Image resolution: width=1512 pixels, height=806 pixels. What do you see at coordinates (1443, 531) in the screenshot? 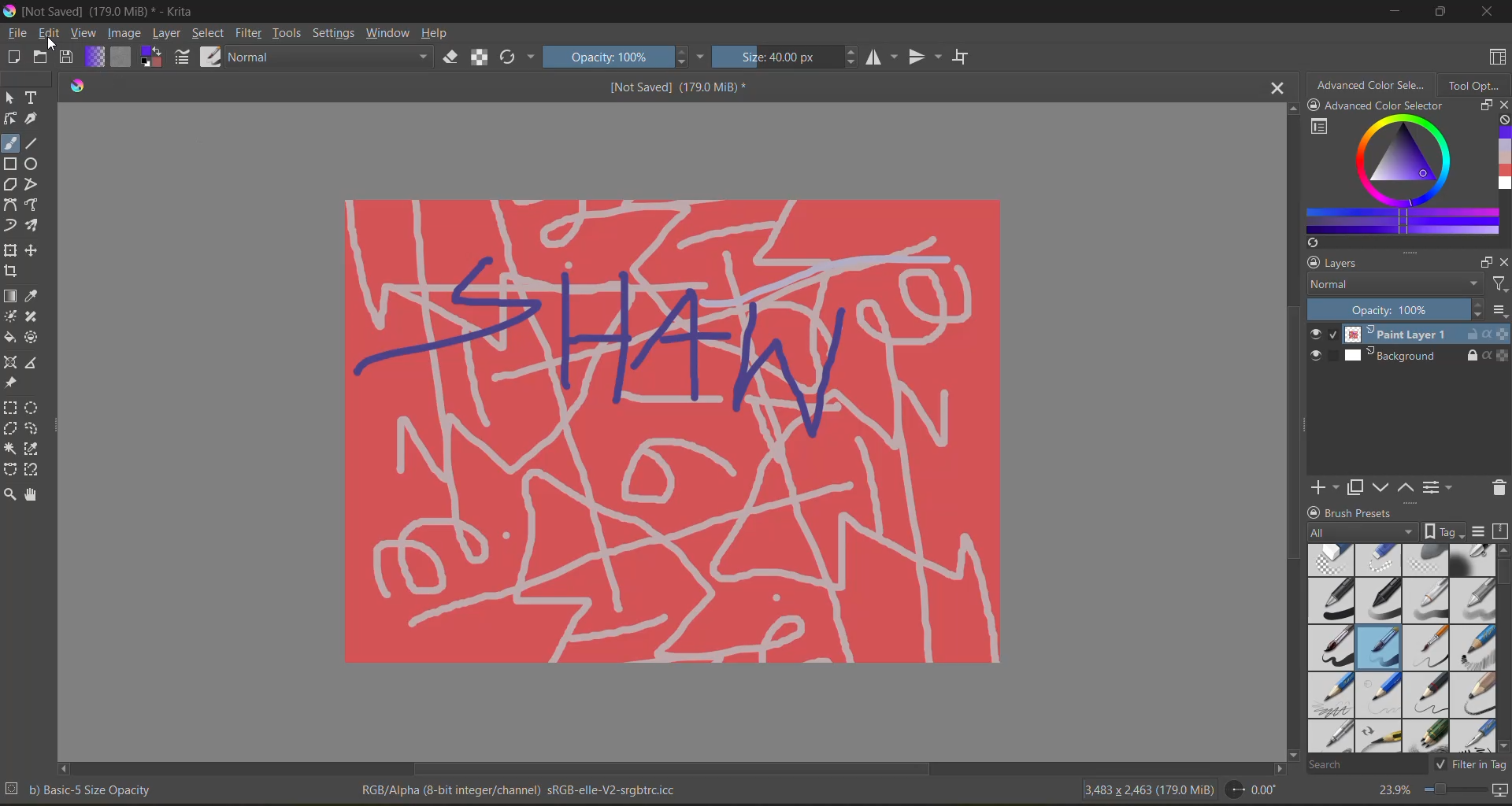
I see `show tag` at bounding box center [1443, 531].